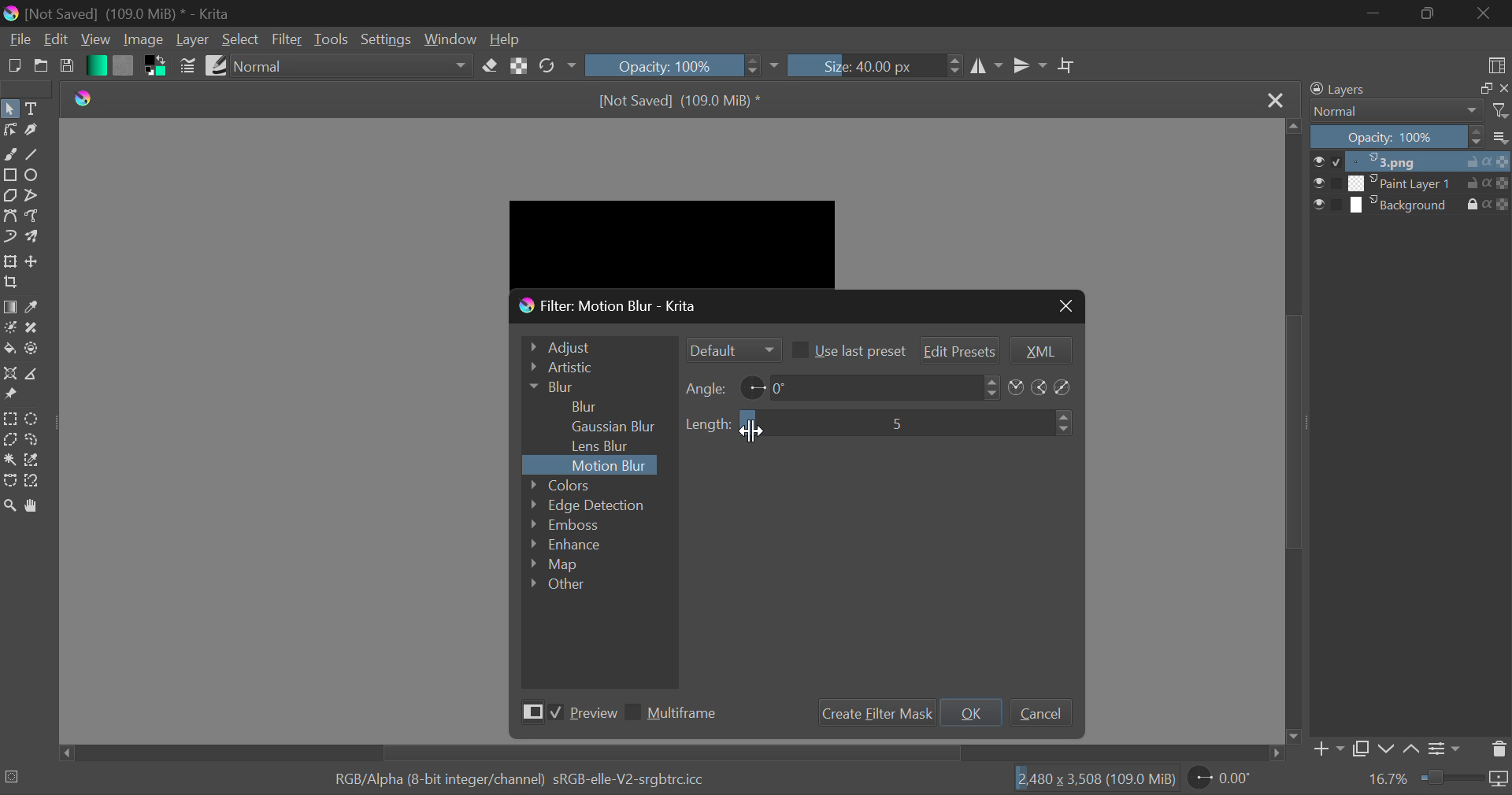  I want to click on Polygon Selection Tool, so click(9, 439).